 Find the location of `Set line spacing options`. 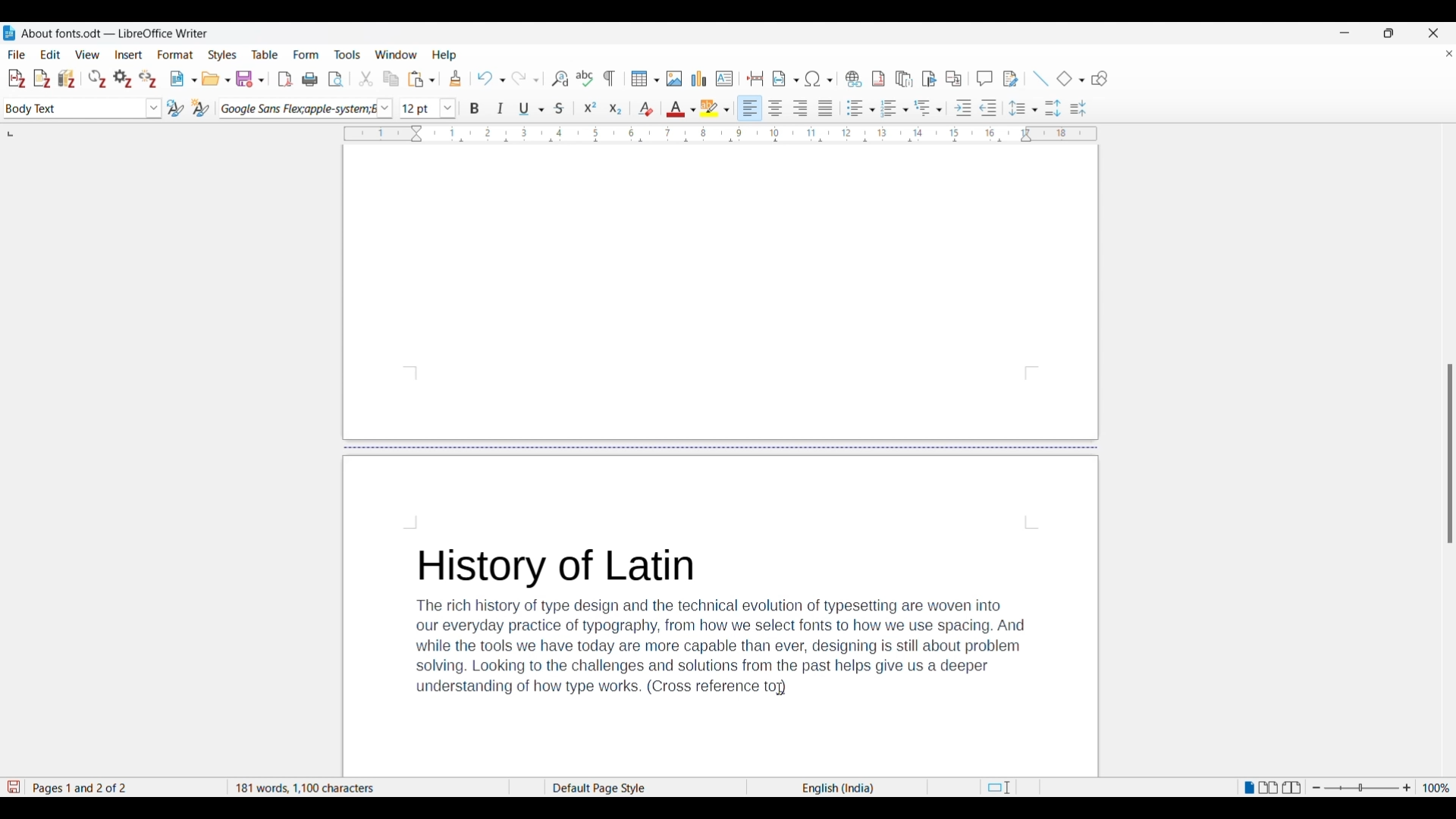

Set line spacing options is located at coordinates (1023, 108).